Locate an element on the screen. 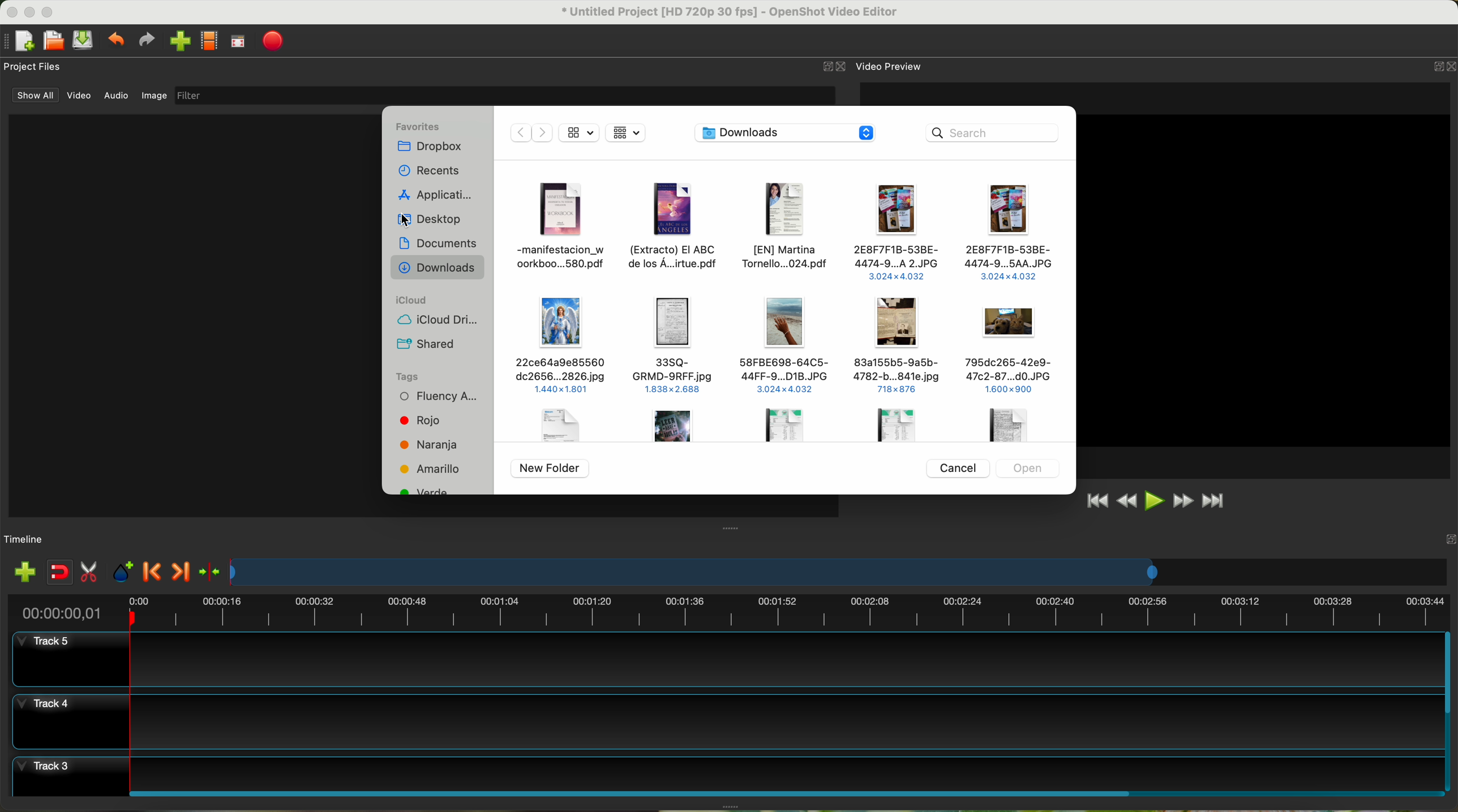  file is located at coordinates (1010, 352).